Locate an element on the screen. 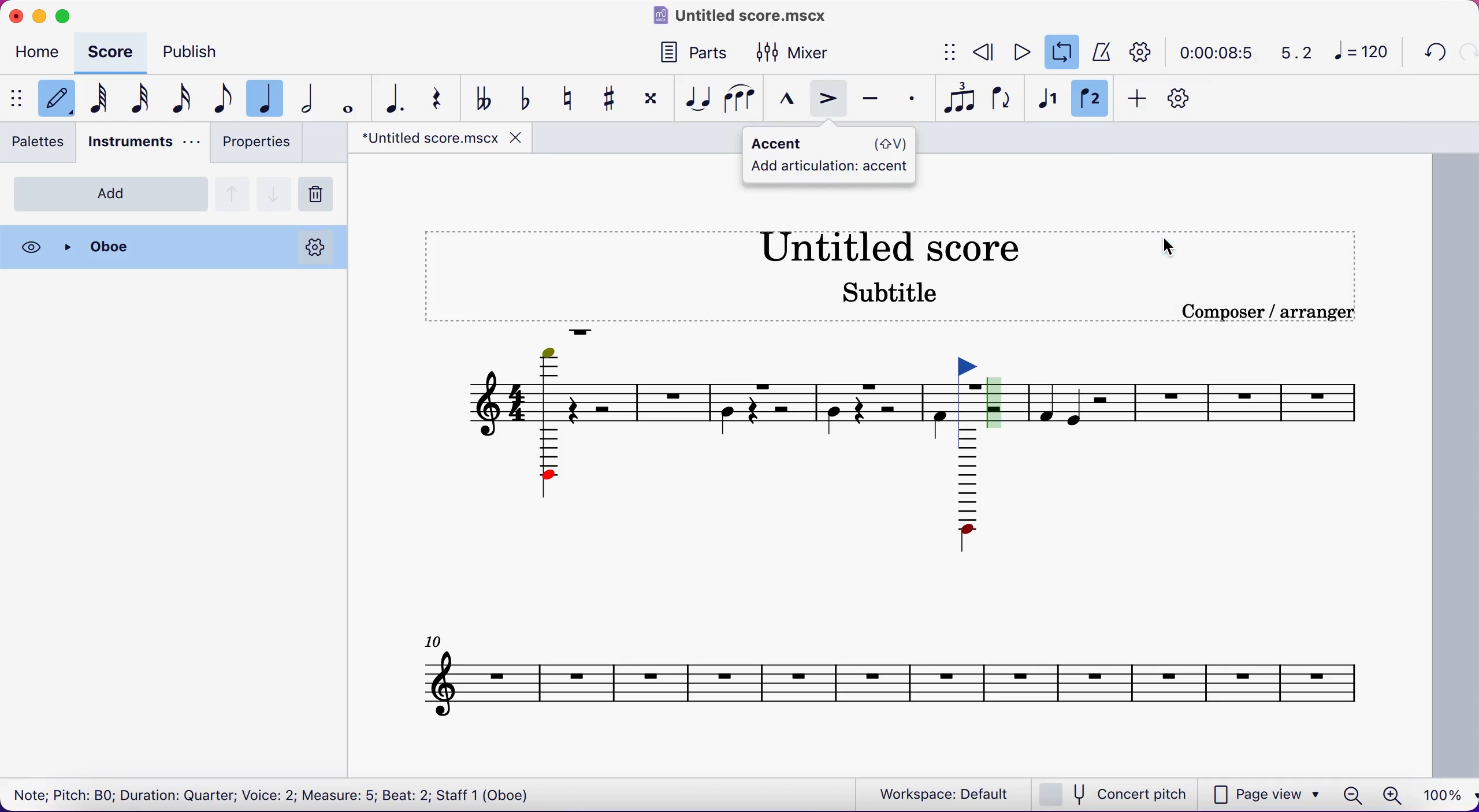 Image resolution: width=1479 pixels, height=812 pixels. concert pitch is located at coordinates (1117, 794).